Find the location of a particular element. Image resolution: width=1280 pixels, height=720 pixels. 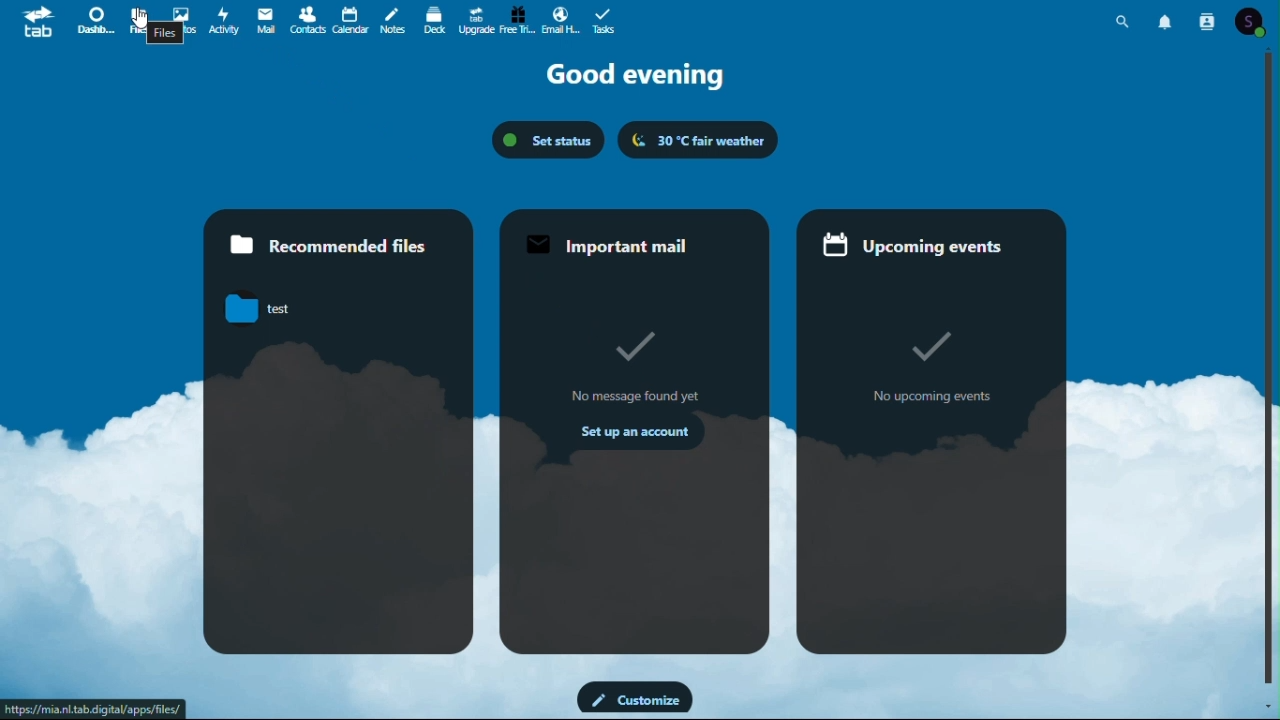

account icon is located at coordinates (1247, 18).